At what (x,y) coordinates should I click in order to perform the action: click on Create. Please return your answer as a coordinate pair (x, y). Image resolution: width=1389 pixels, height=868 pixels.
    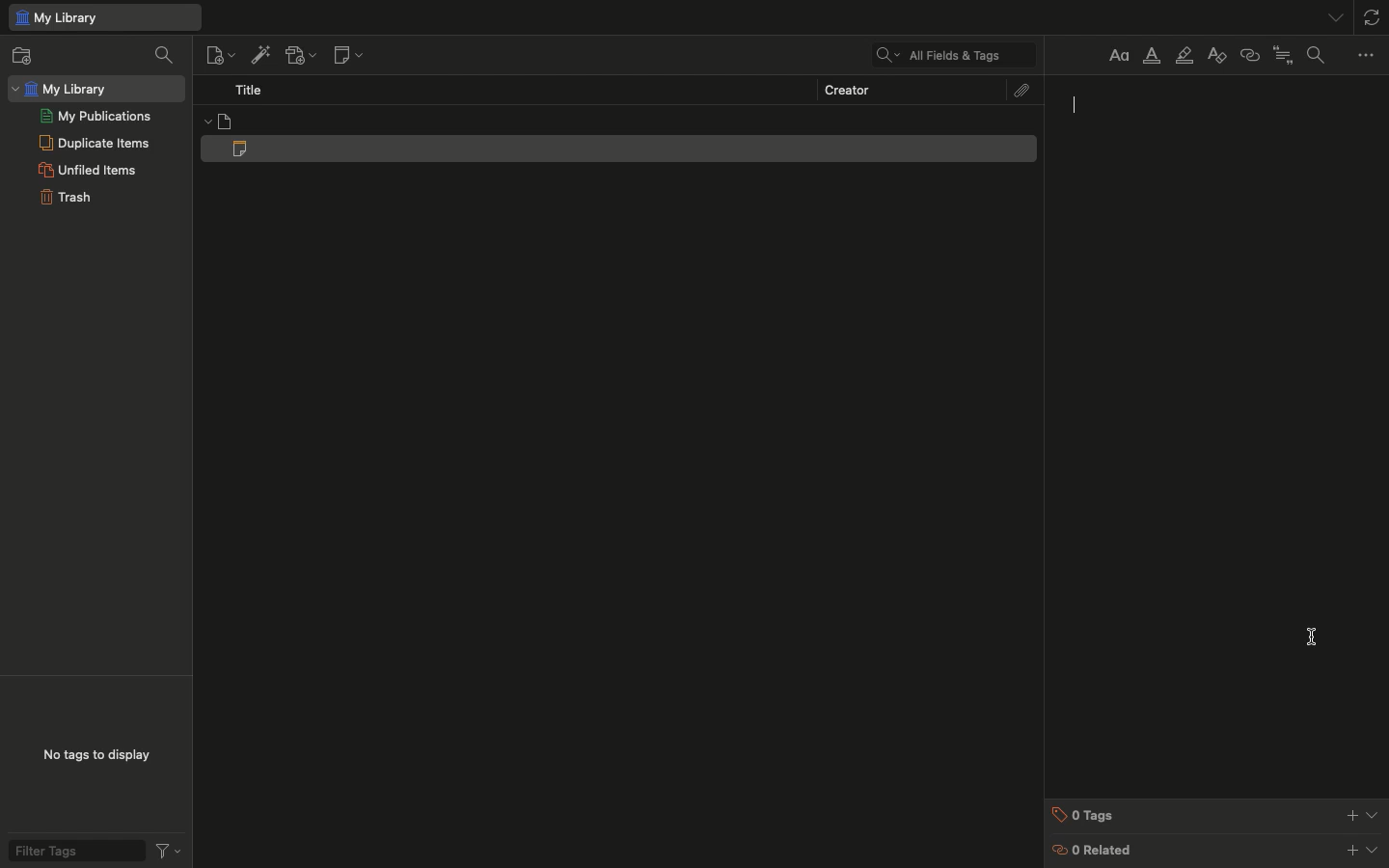
    Looking at the image, I should click on (846, 88).